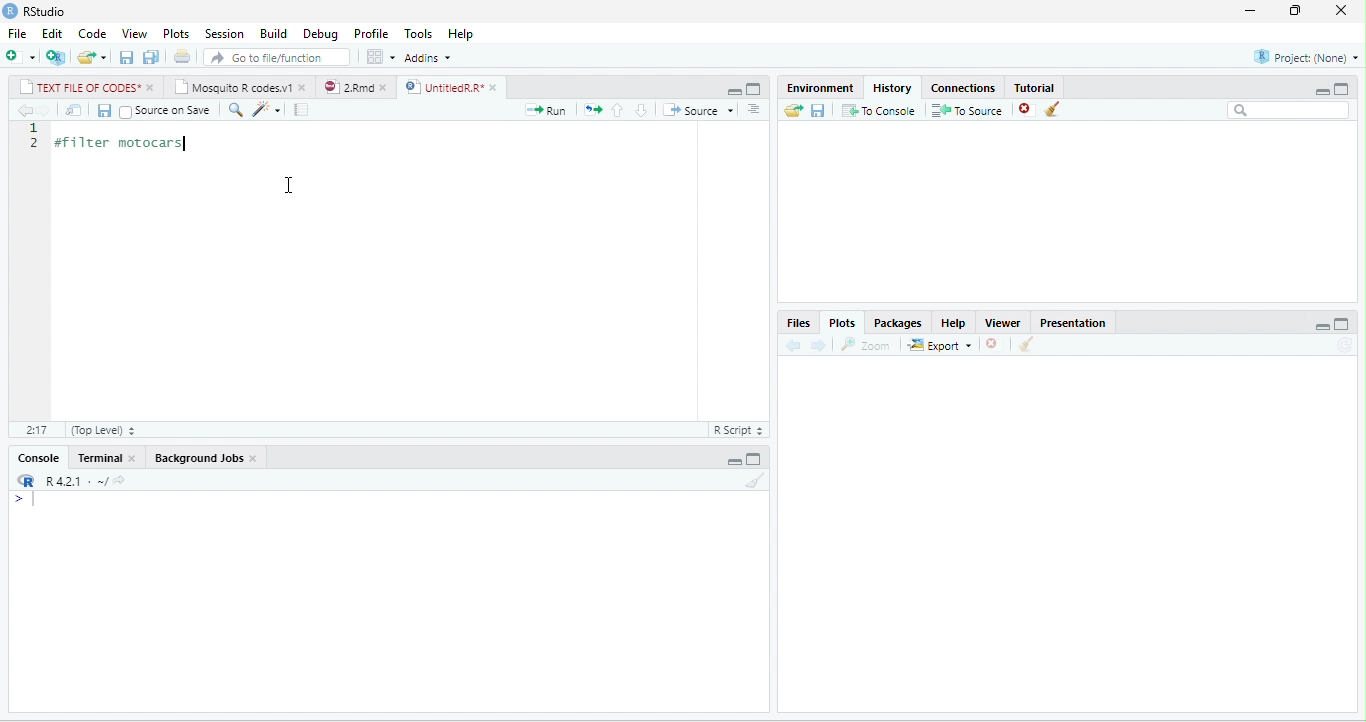  Describe the element at coordinates (965, 110) in the screenshot. I see `To source` at that location.